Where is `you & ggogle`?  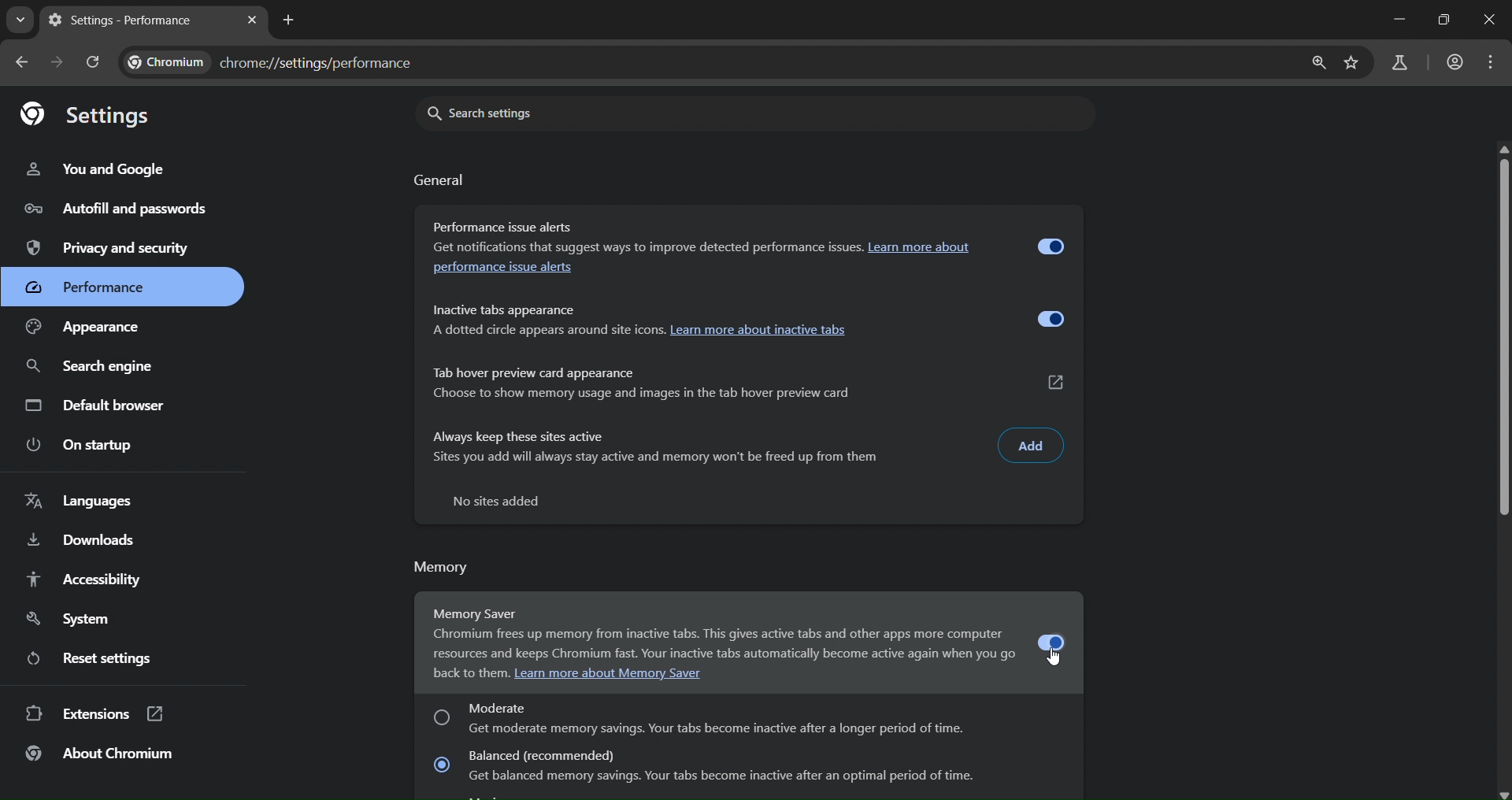 you & ggogle is located at coordinates (98, 170).